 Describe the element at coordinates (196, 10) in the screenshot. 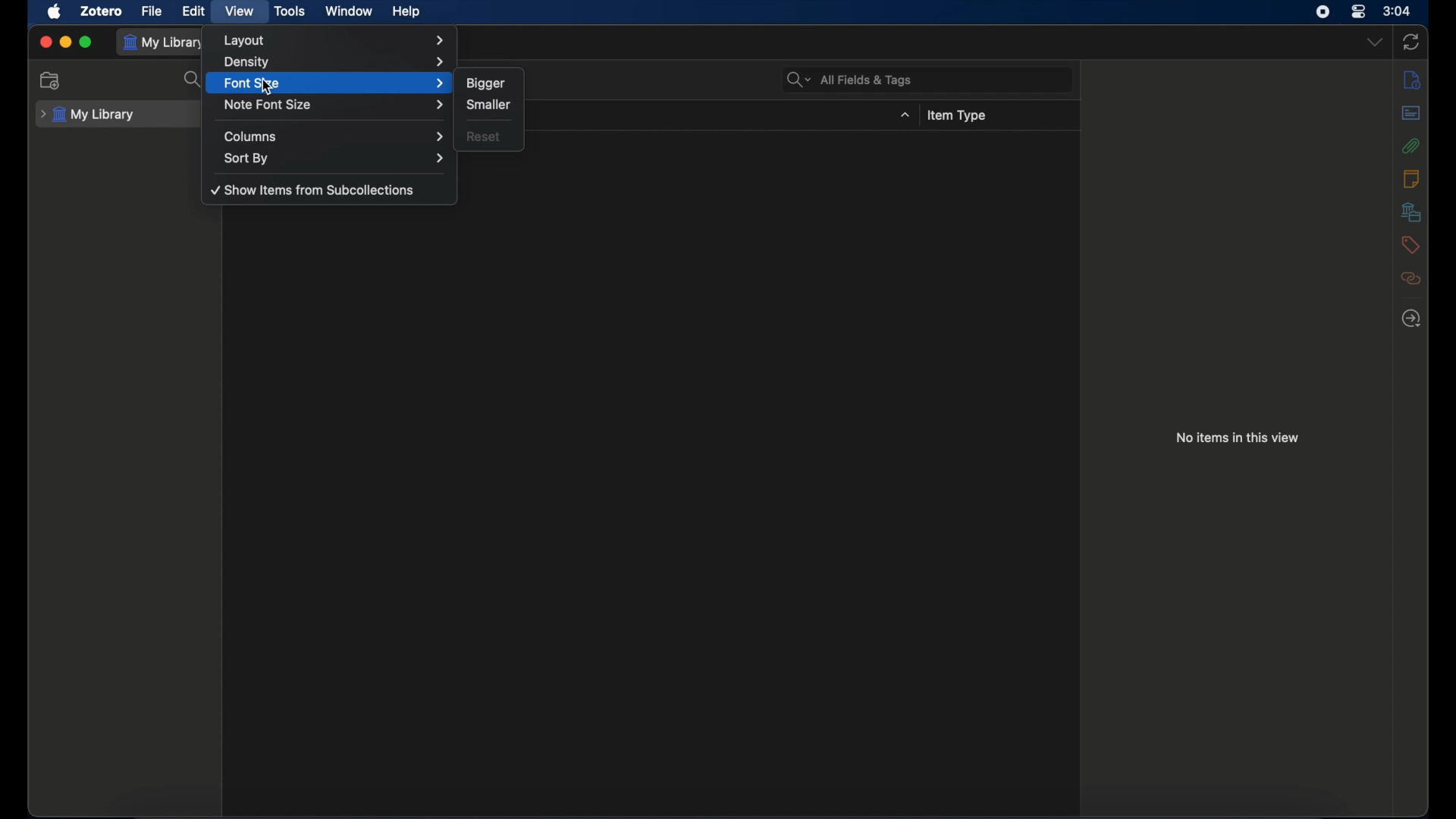

I see `edit` at that location.